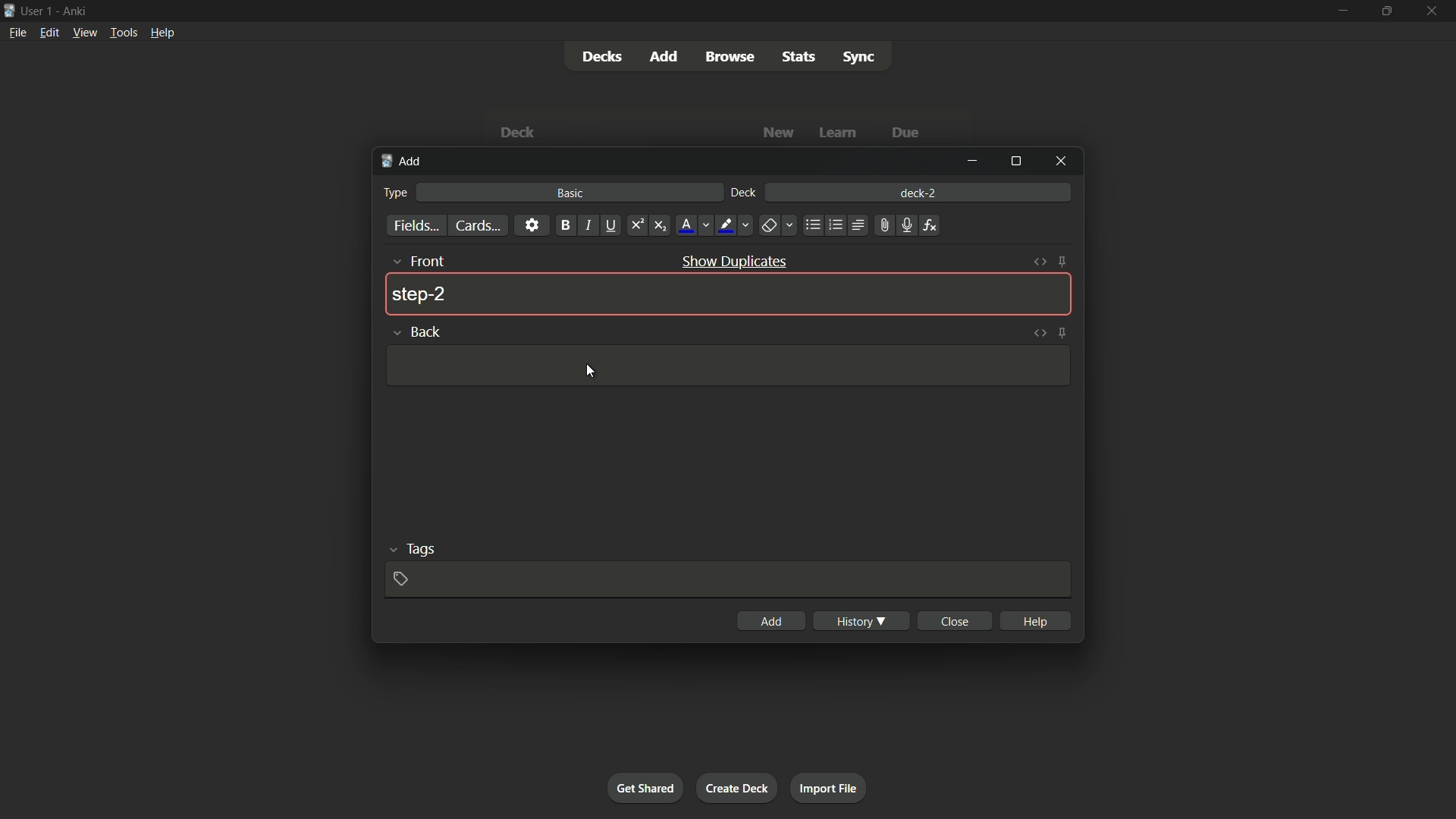 Image resolution: width=1456 pixels, height=819 pixels. Describe the element at coordinates (637, 226) in the screenshot. I see `superscript` at that location.